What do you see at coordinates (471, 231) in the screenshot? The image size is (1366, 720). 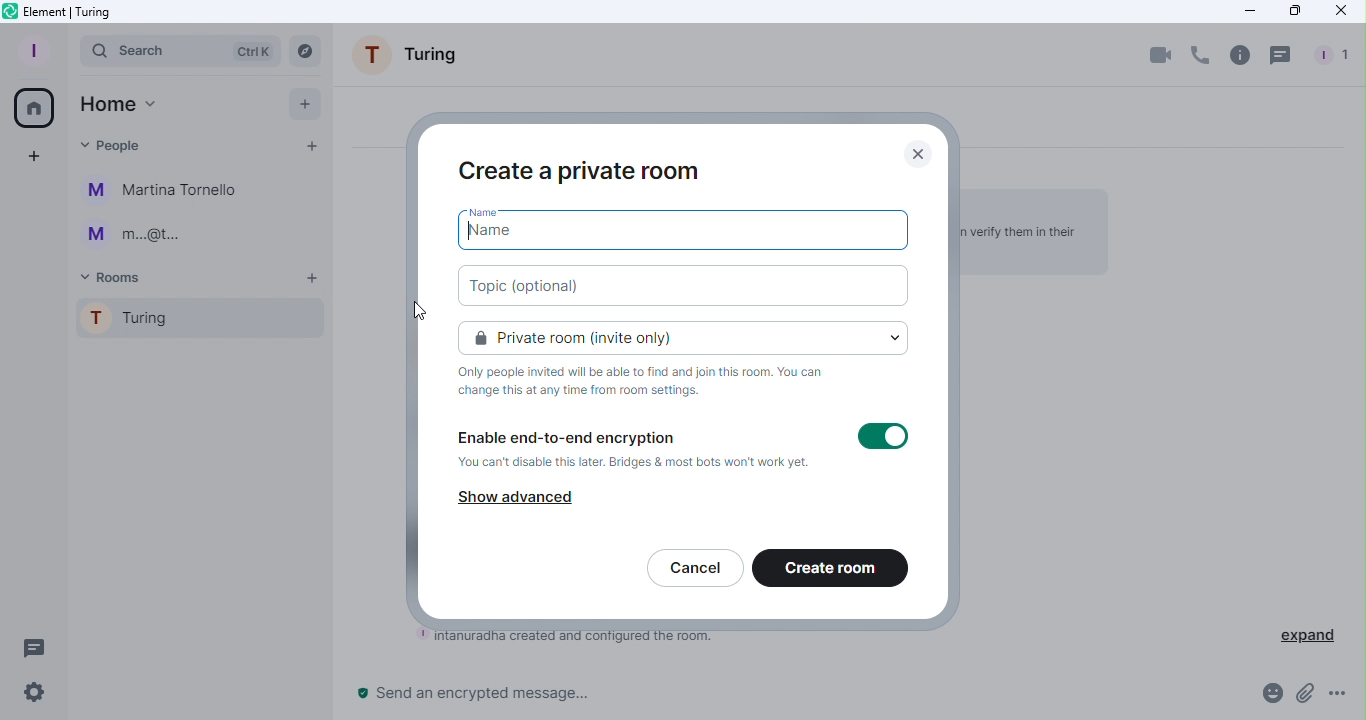 I see `text cursor` at bounding box center [471, 231].